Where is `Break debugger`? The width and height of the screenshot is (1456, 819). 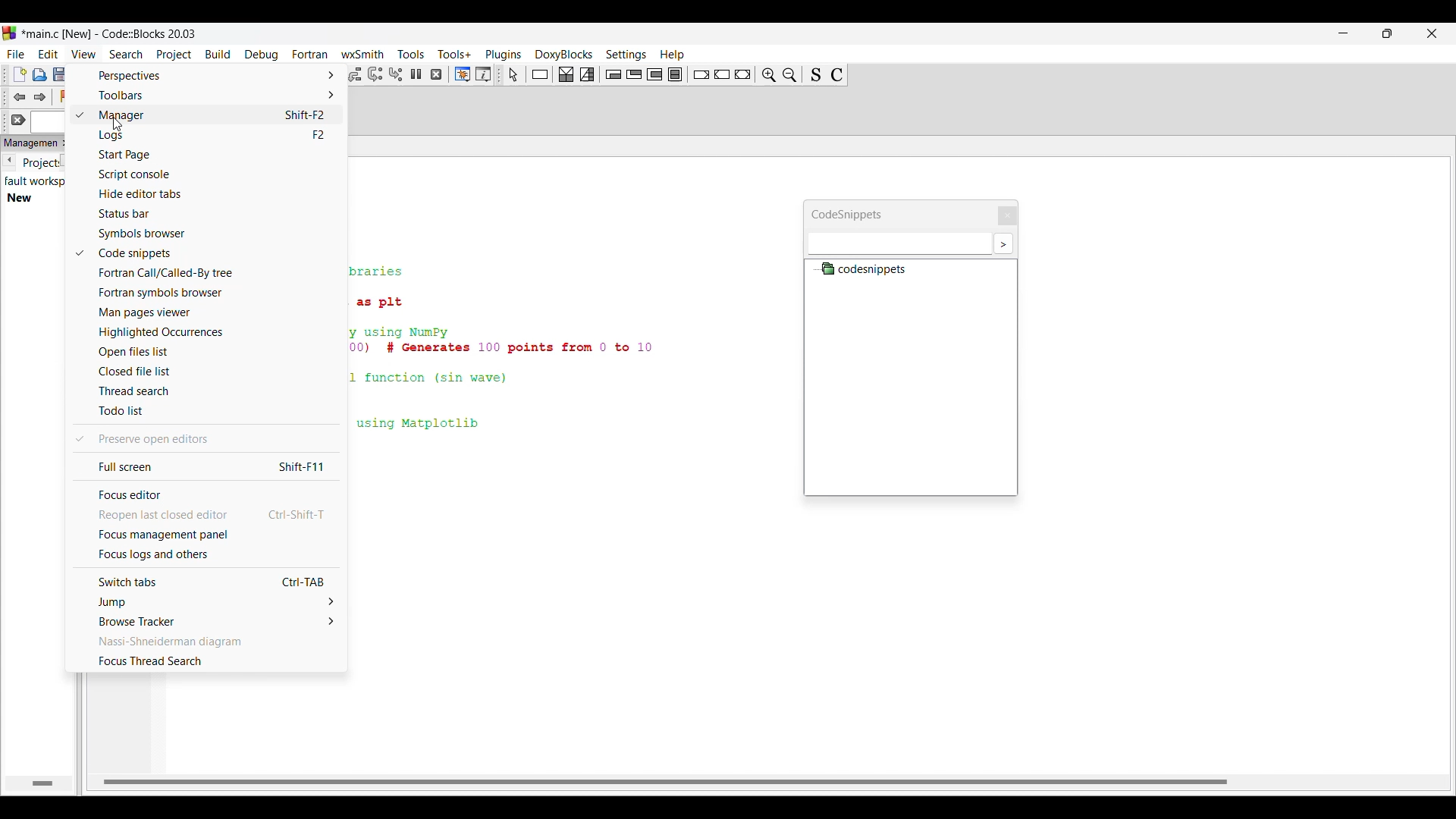 Break debugger is located at coordinates (416, 74).